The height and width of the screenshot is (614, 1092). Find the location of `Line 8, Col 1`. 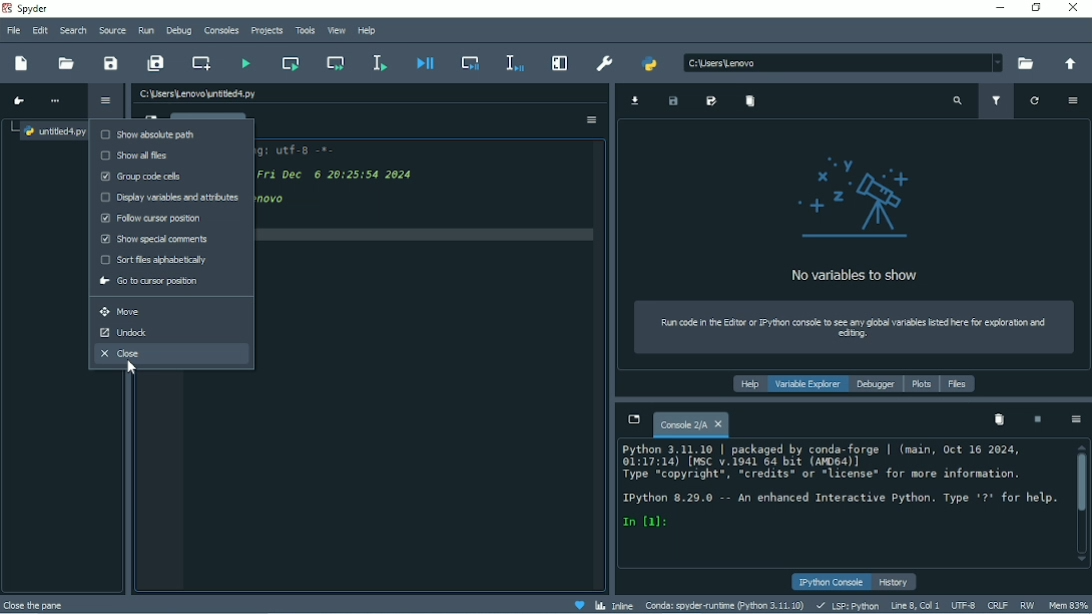

Line 8, Col 1 is located at coordinates (914, 605).